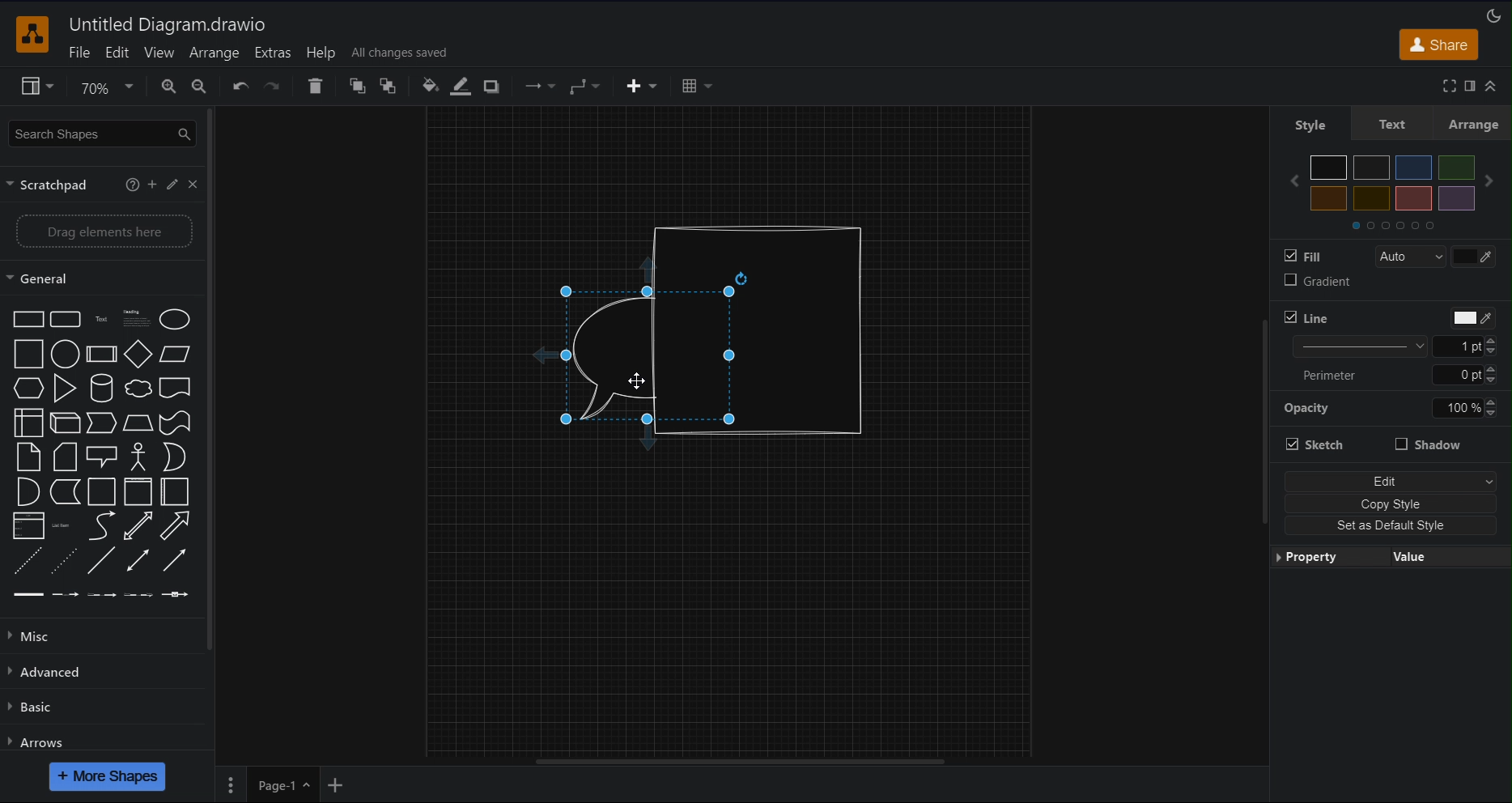 The height and width of the screenshot is (803, 1512). What do you see at coordinates (29, 525) in the screenshot?
I see `Link` at bounding box center [29, 525].